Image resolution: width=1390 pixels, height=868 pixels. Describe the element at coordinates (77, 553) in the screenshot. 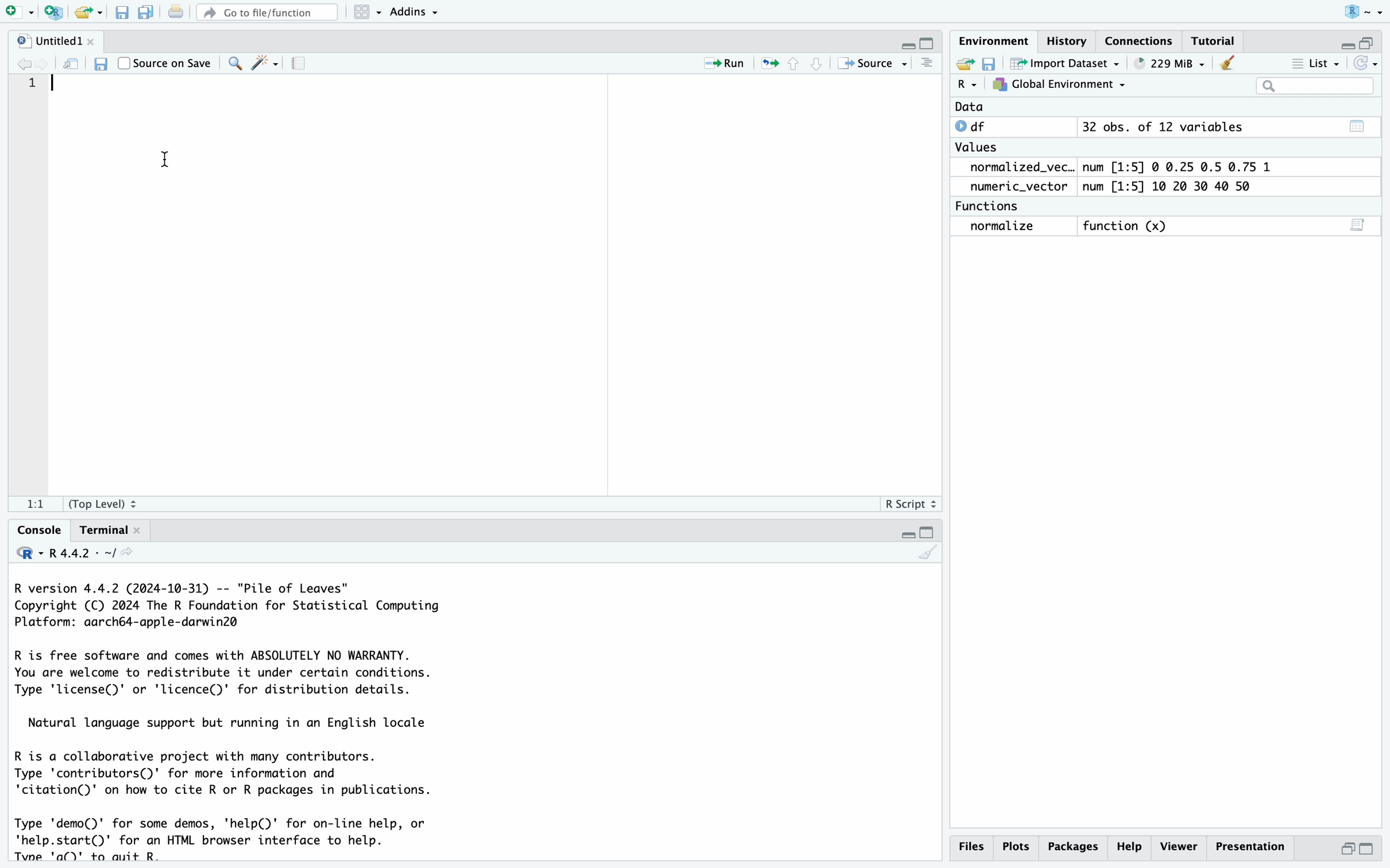

I see `R 4.4.2 . ~/` at that location.